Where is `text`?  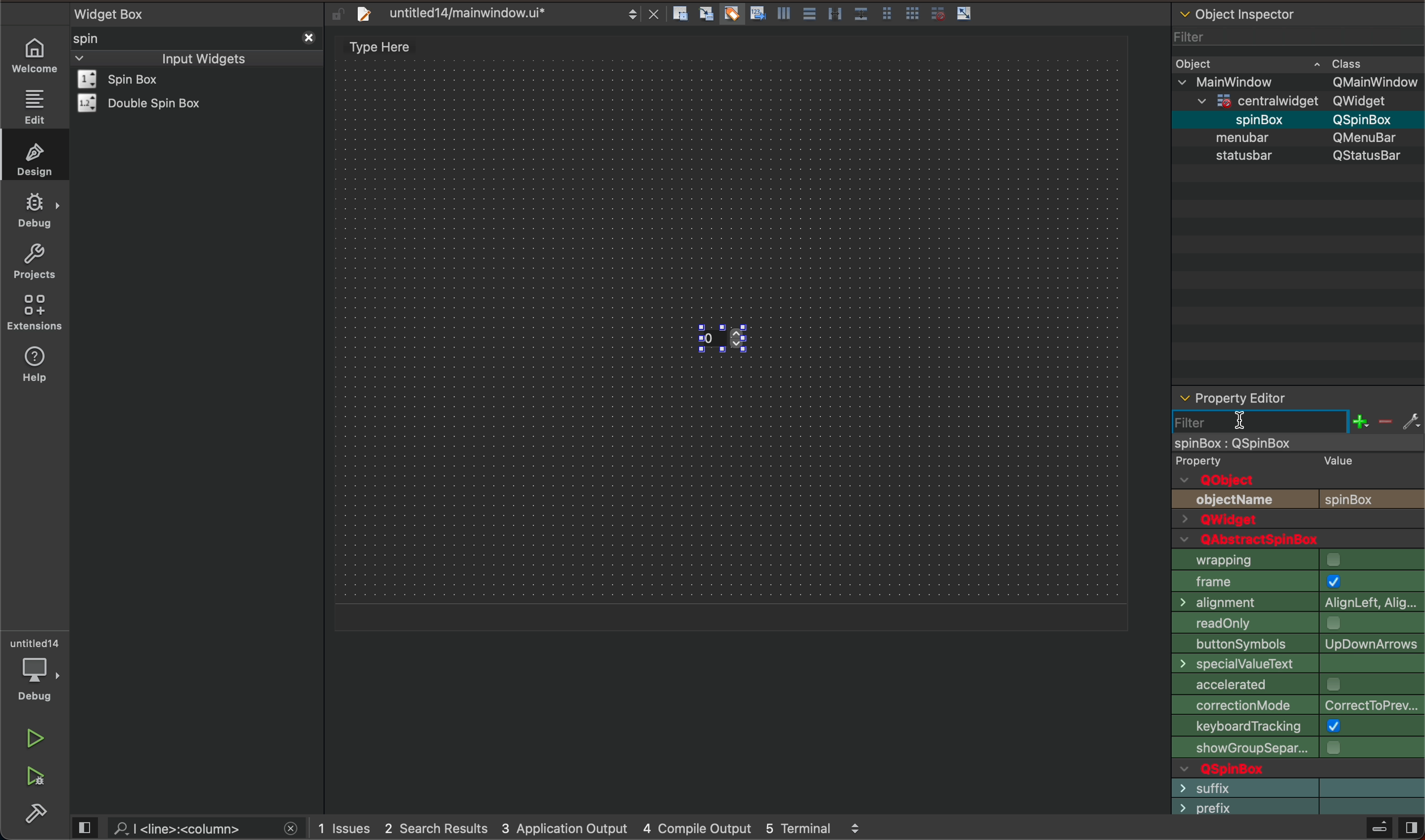
text is located at coordinates (1375, 155).